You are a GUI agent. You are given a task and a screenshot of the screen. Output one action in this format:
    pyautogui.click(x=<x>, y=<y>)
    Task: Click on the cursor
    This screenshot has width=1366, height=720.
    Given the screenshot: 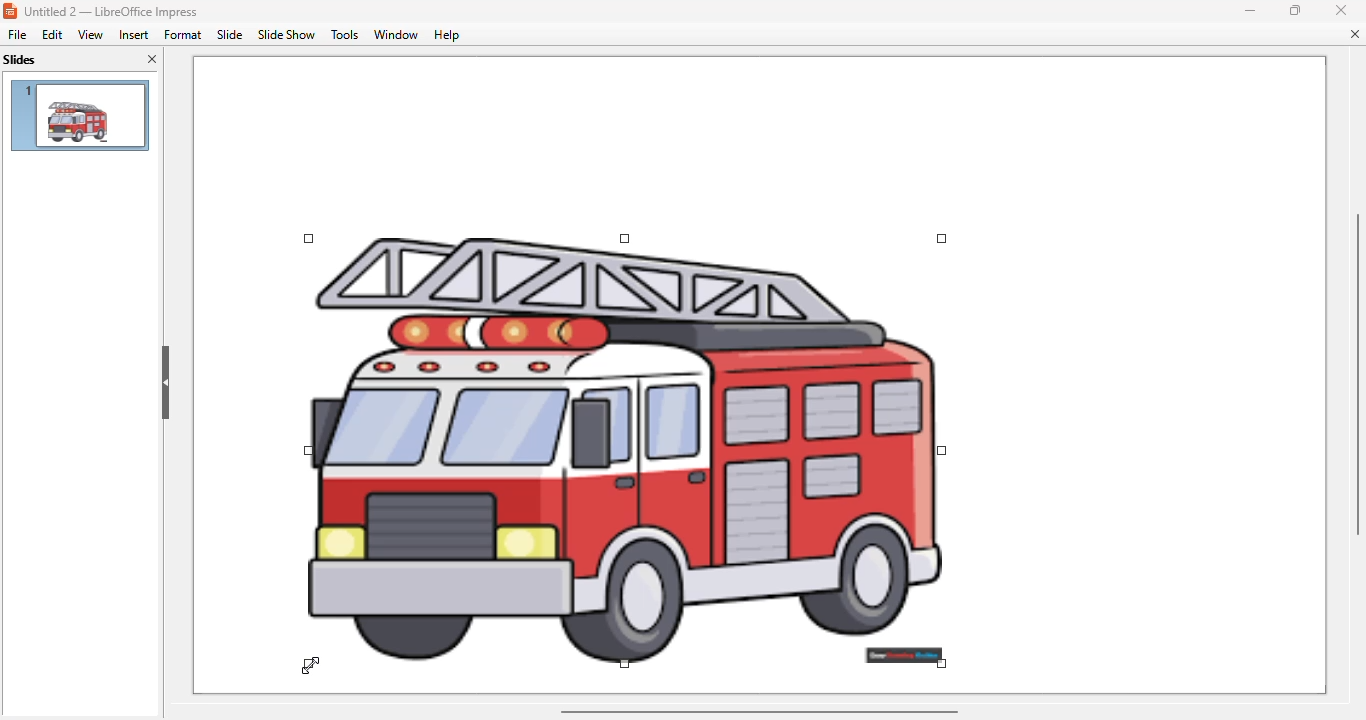 What is the action you would take?
    pyautogui.click(x=309, y=665)
    